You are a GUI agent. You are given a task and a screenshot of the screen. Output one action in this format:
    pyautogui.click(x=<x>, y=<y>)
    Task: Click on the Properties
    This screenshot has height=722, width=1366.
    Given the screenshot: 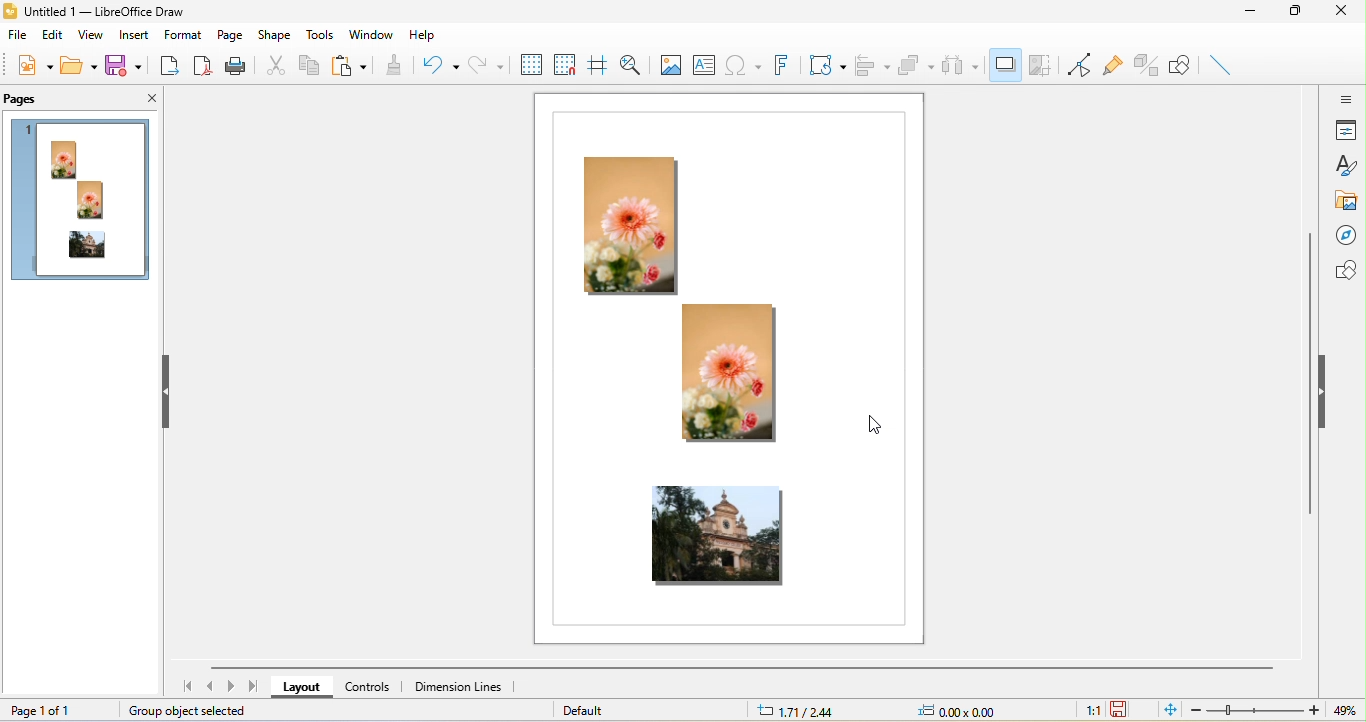 What is the action you would take?
    pyautogui.click(x=1347, y=132)
    